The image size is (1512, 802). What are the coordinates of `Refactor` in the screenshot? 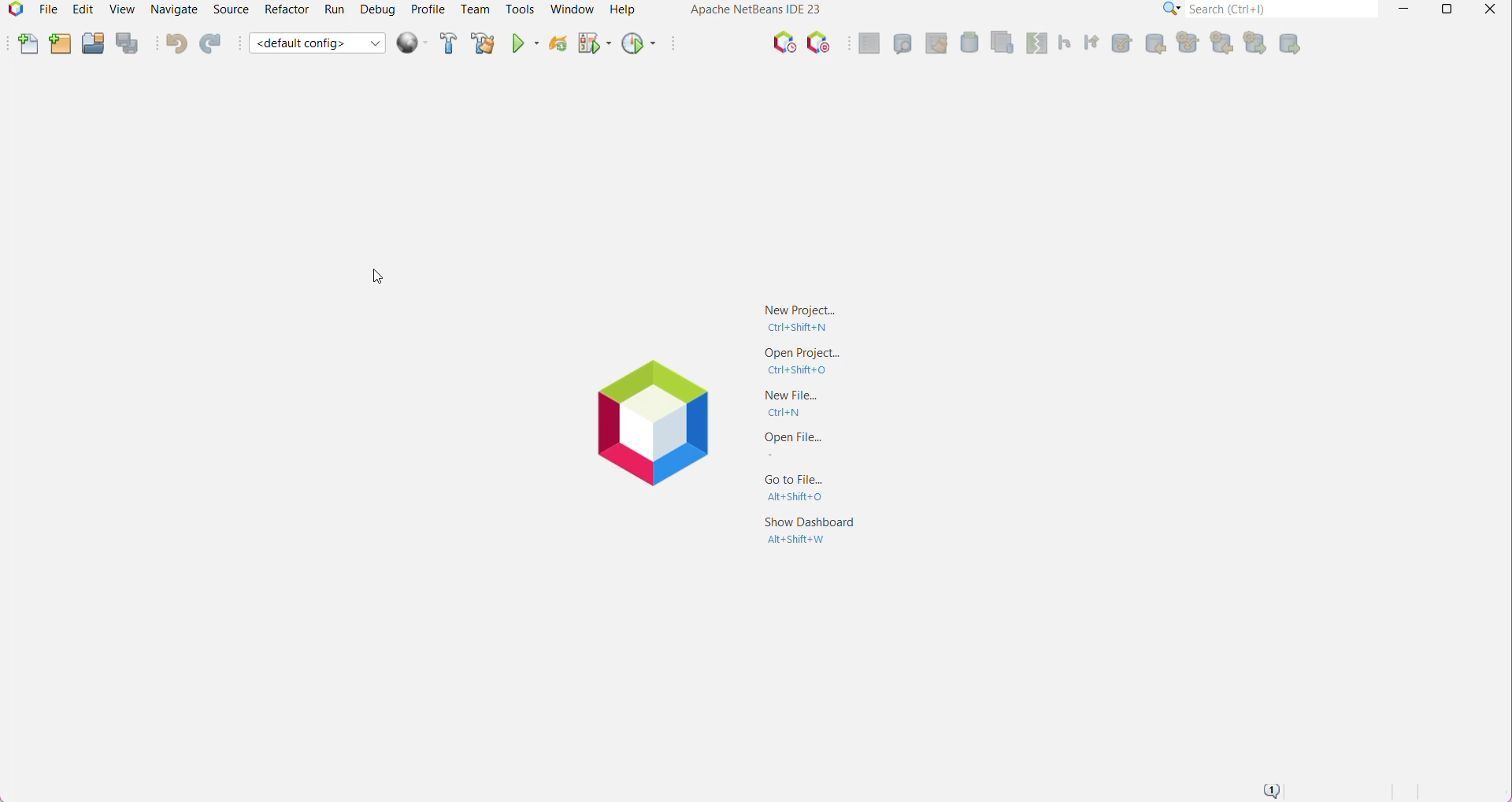 It's located at (285, 9).